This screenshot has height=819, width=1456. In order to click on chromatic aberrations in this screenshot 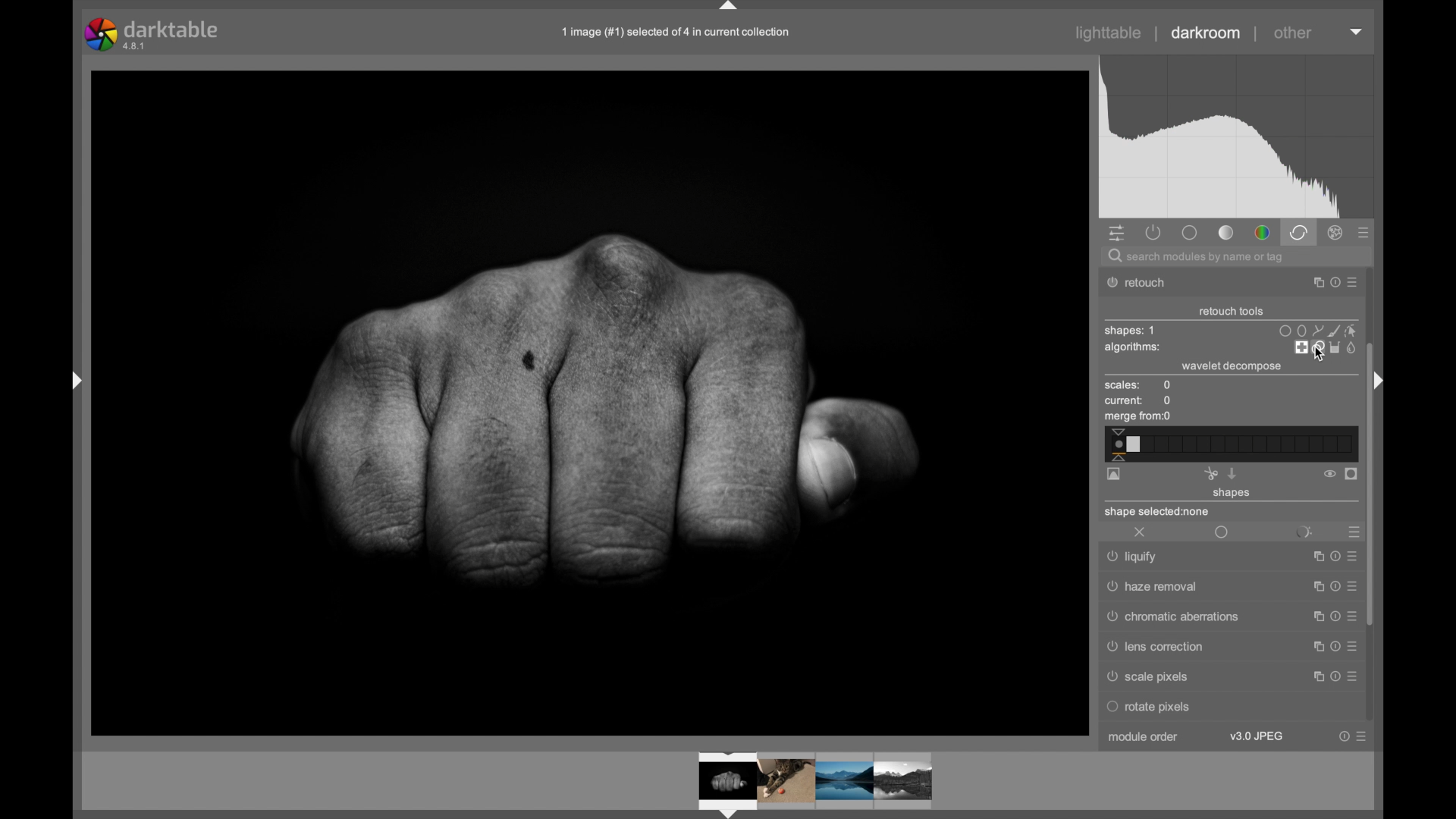, I will do `click(1170, 618)`.